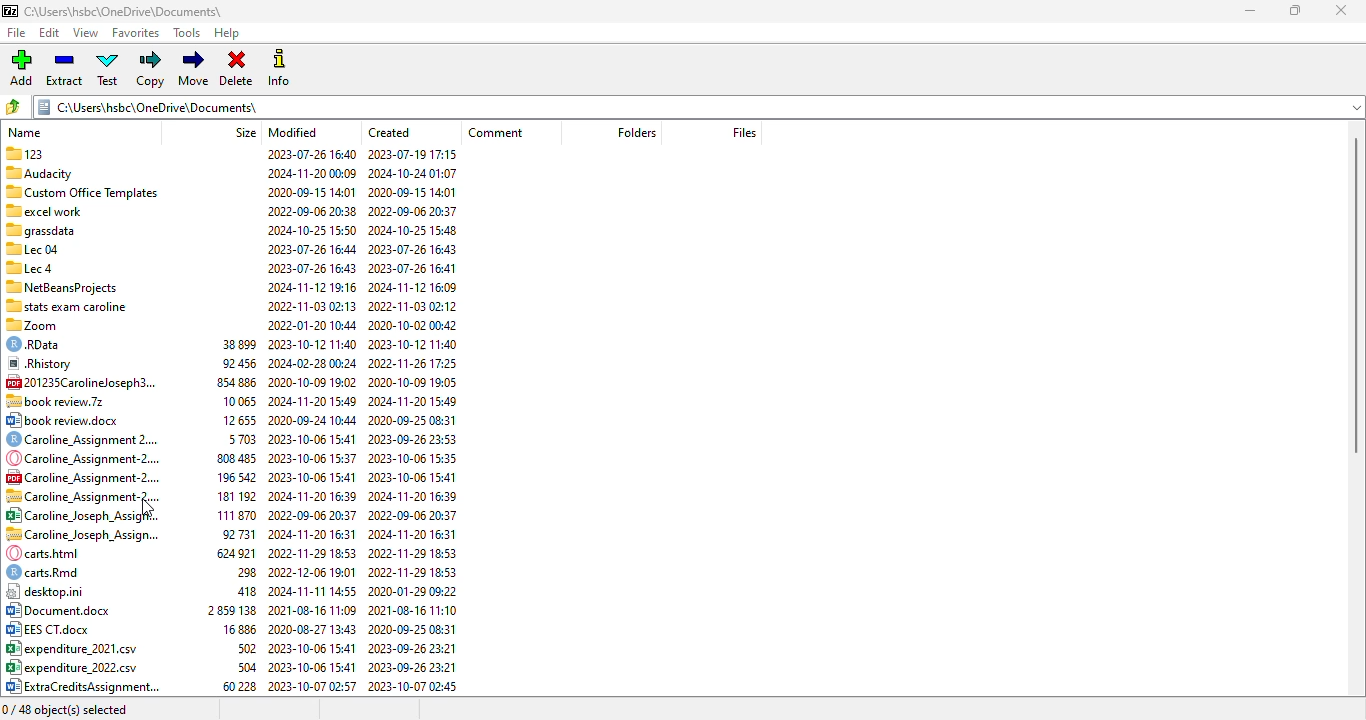 This screenshot has width=1366, height=720. What do you see at coordinates (231, 210) in the screenshot?
I see `= excel work 2022-09-06 20:38 2022-09-06 20:37` at bounding box center [231, 210].